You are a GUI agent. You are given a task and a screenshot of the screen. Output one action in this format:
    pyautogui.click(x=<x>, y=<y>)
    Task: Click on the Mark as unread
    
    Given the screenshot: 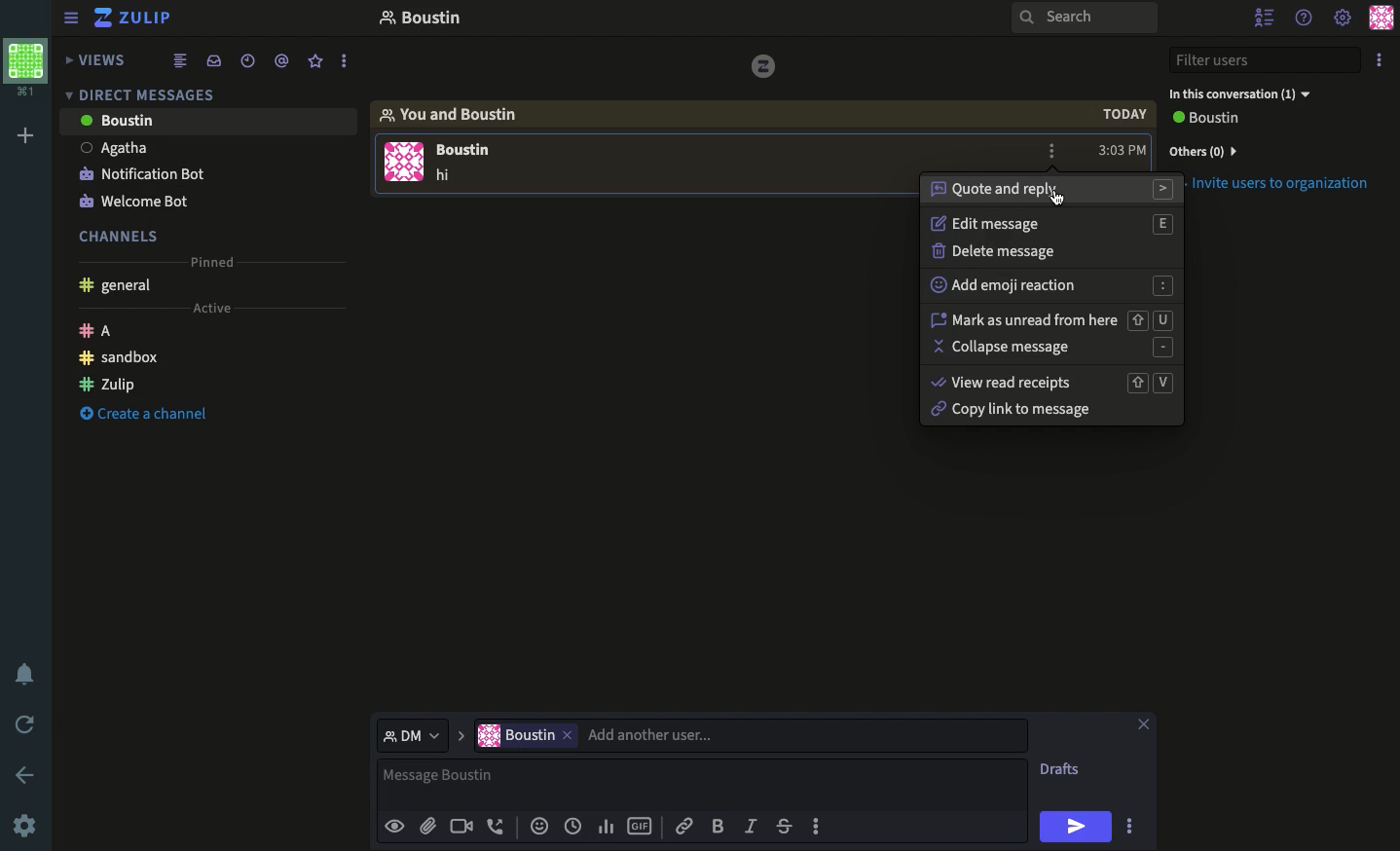 What is the action you would take?
    pyautogui.click(x=1054, y=321)
    